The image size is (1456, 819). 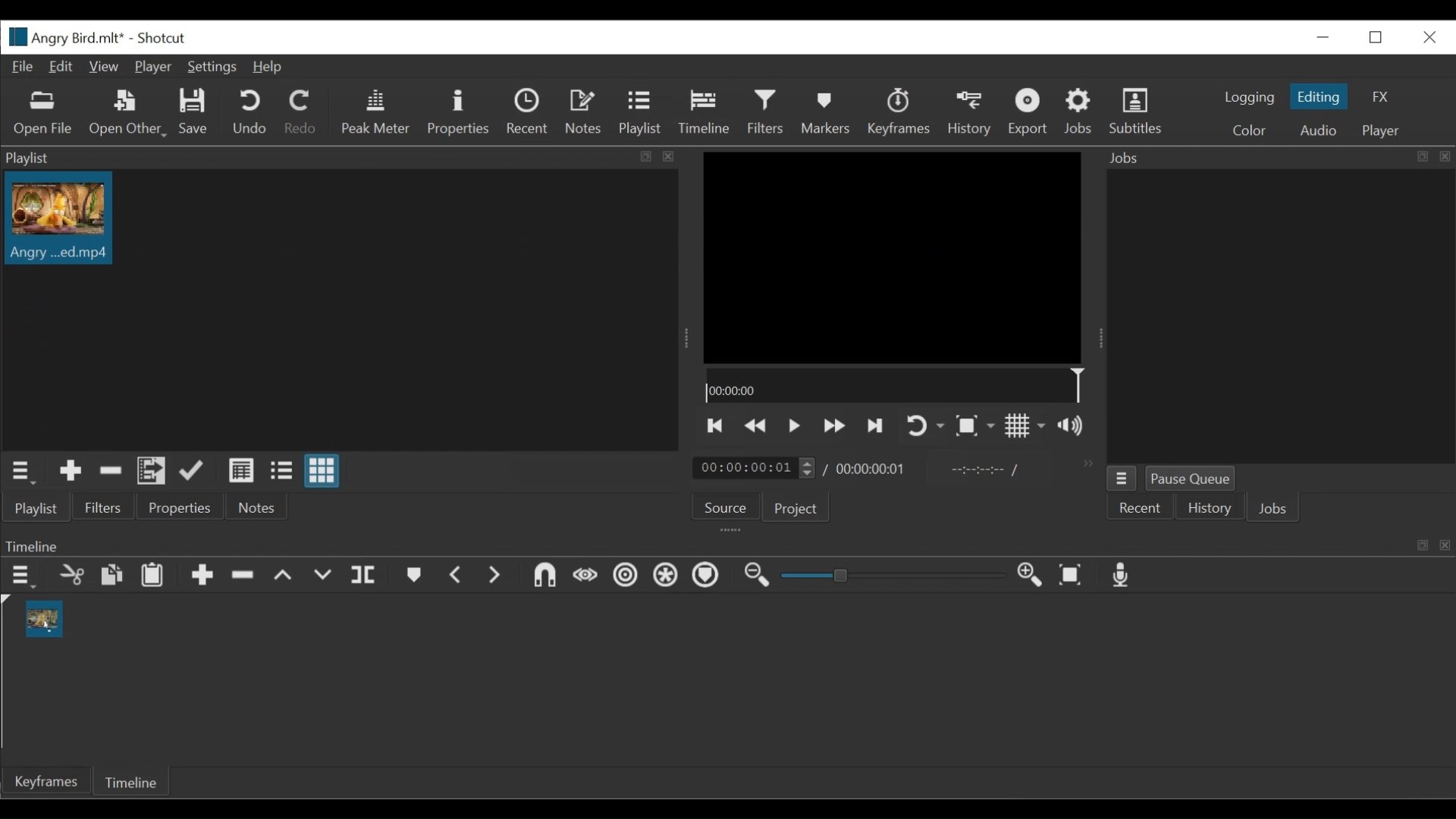 I want to click on Filters, so click(x=102, y=507).